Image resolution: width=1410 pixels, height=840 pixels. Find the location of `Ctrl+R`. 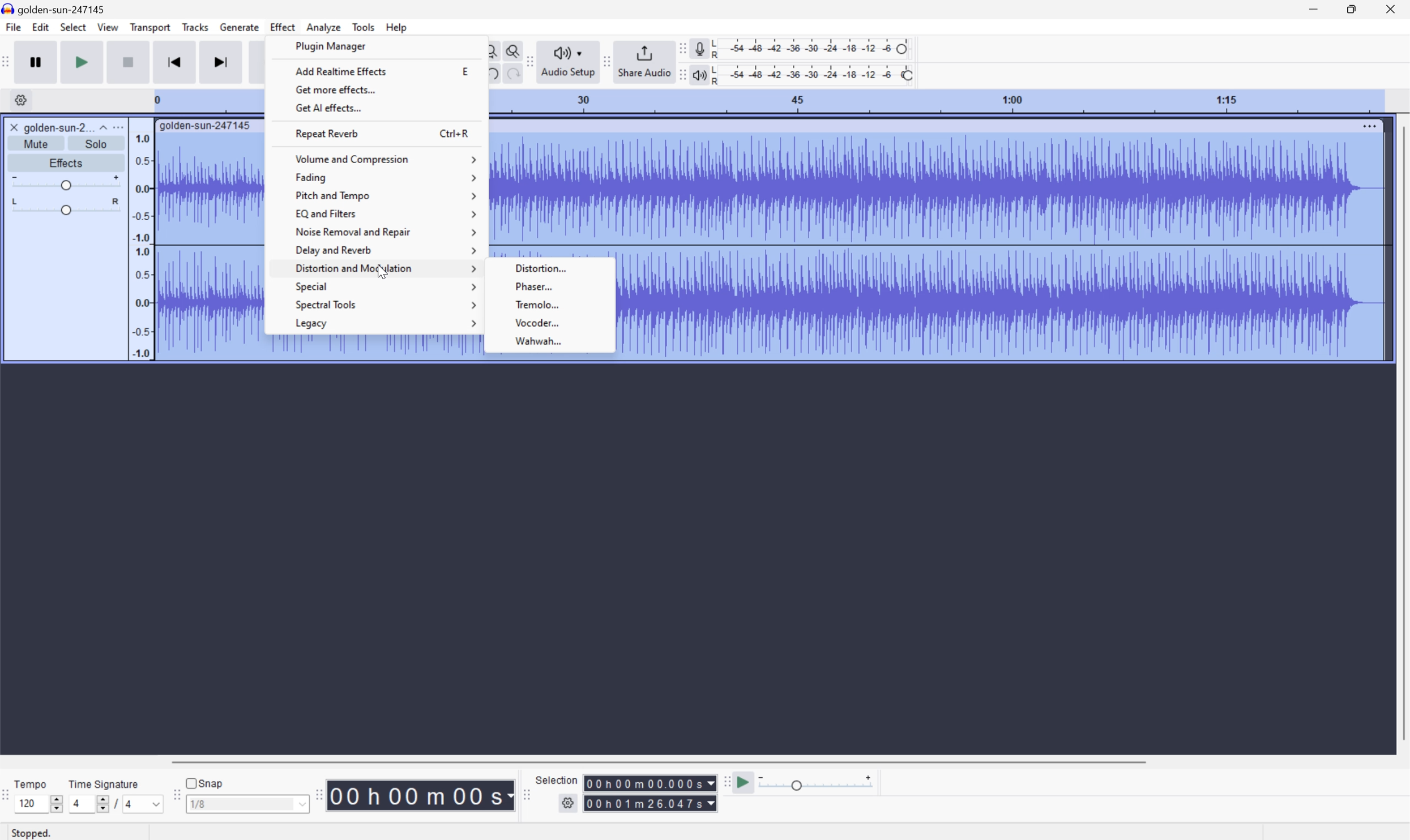

Ctrl+R is located at coordinates (456, 132).